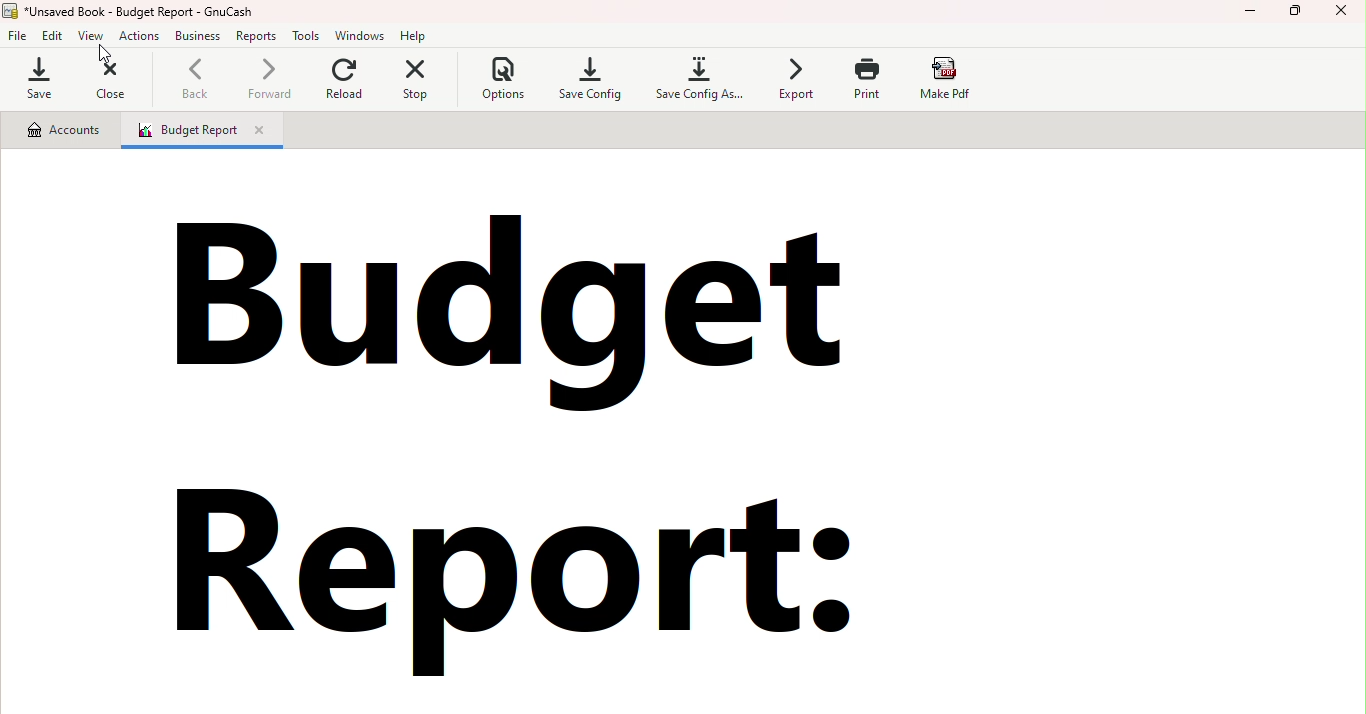 The height and width of the screenshot is (714, 1366). Describe the element at coordinates (345, 81) in the screenshot. I see `Reload` at that location.